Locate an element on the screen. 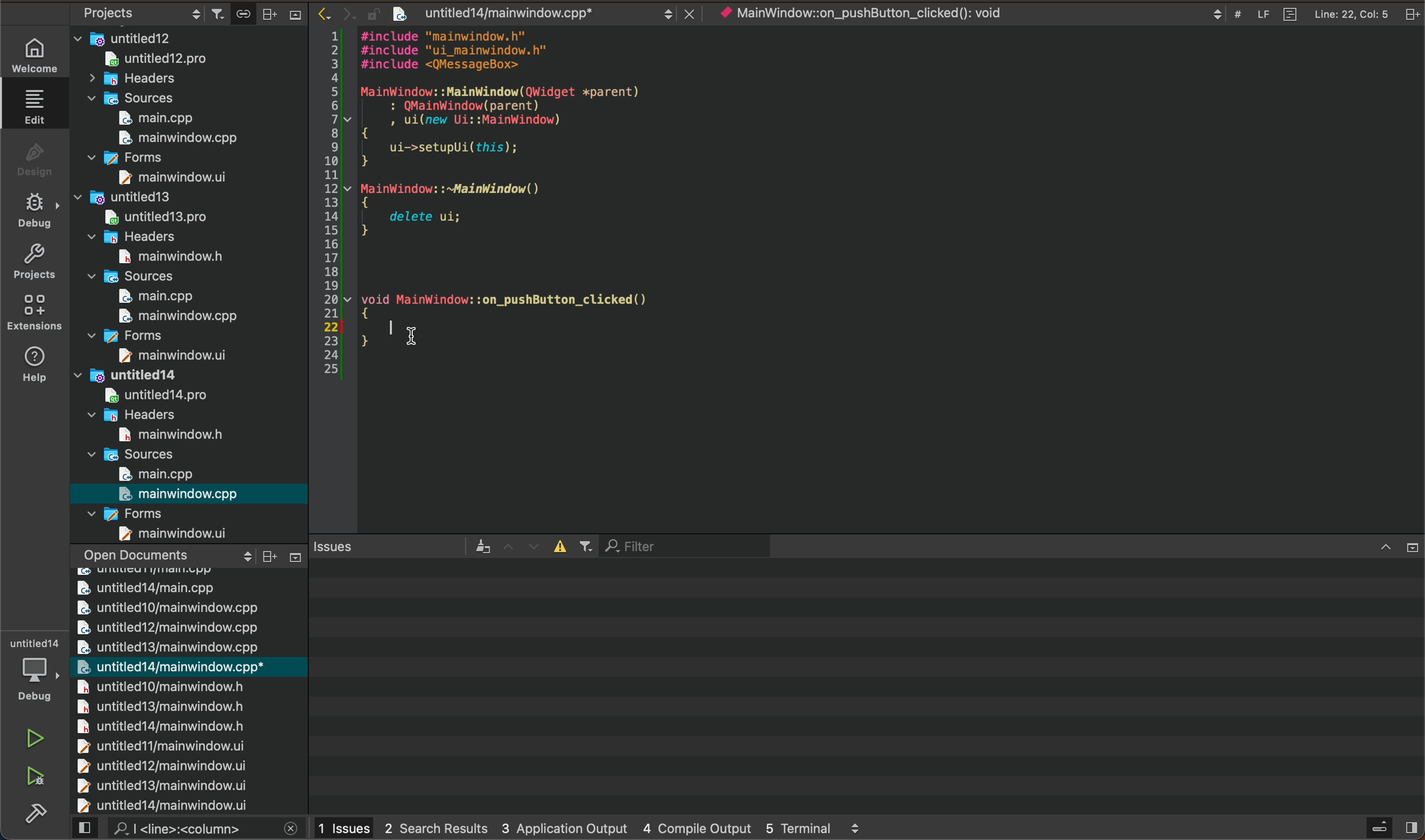  Extensions is located at coordinates (31, 312).